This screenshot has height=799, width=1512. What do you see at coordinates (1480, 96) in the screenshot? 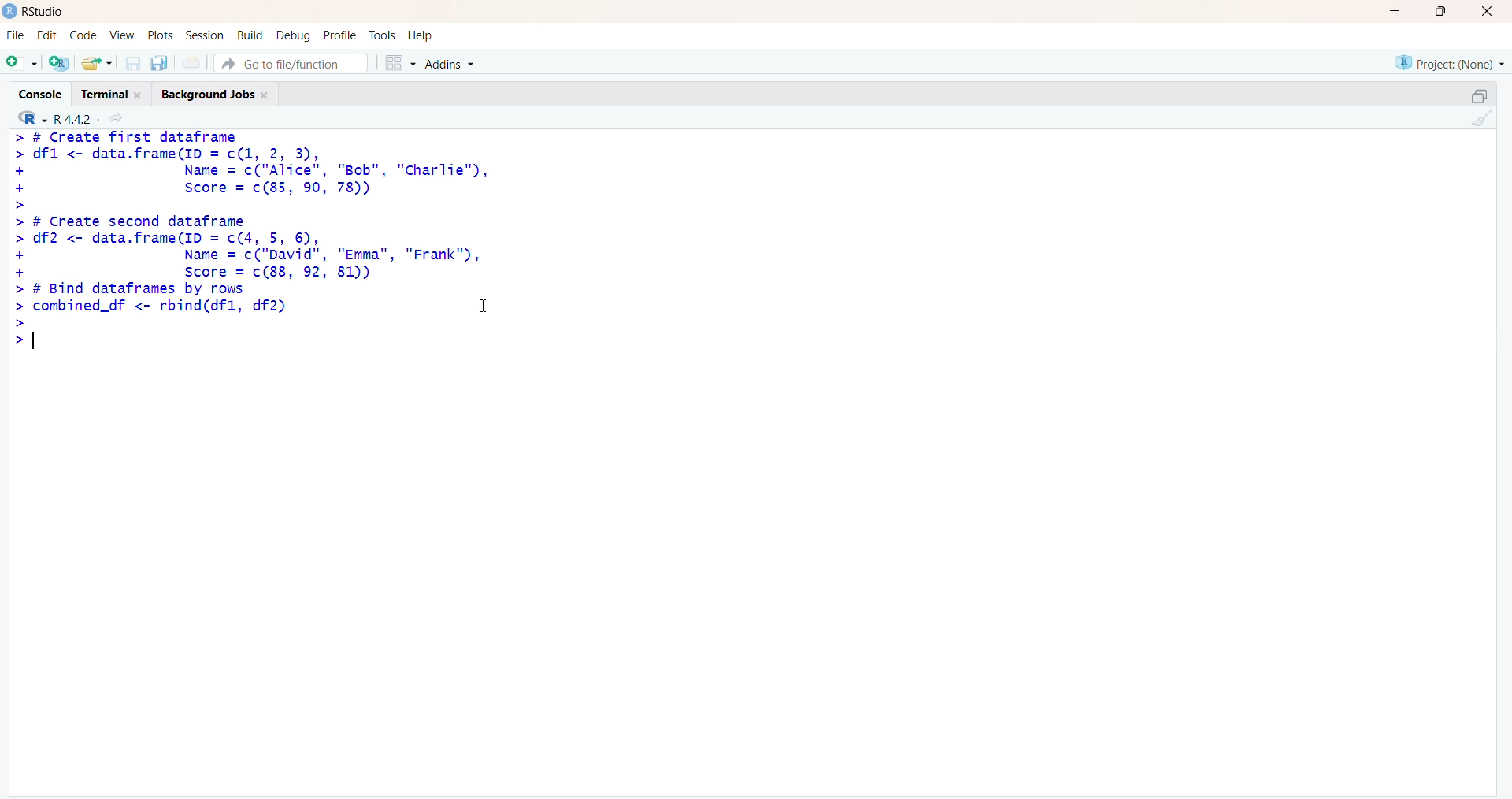
I see `minimize` at bounding box center [1480, 96].